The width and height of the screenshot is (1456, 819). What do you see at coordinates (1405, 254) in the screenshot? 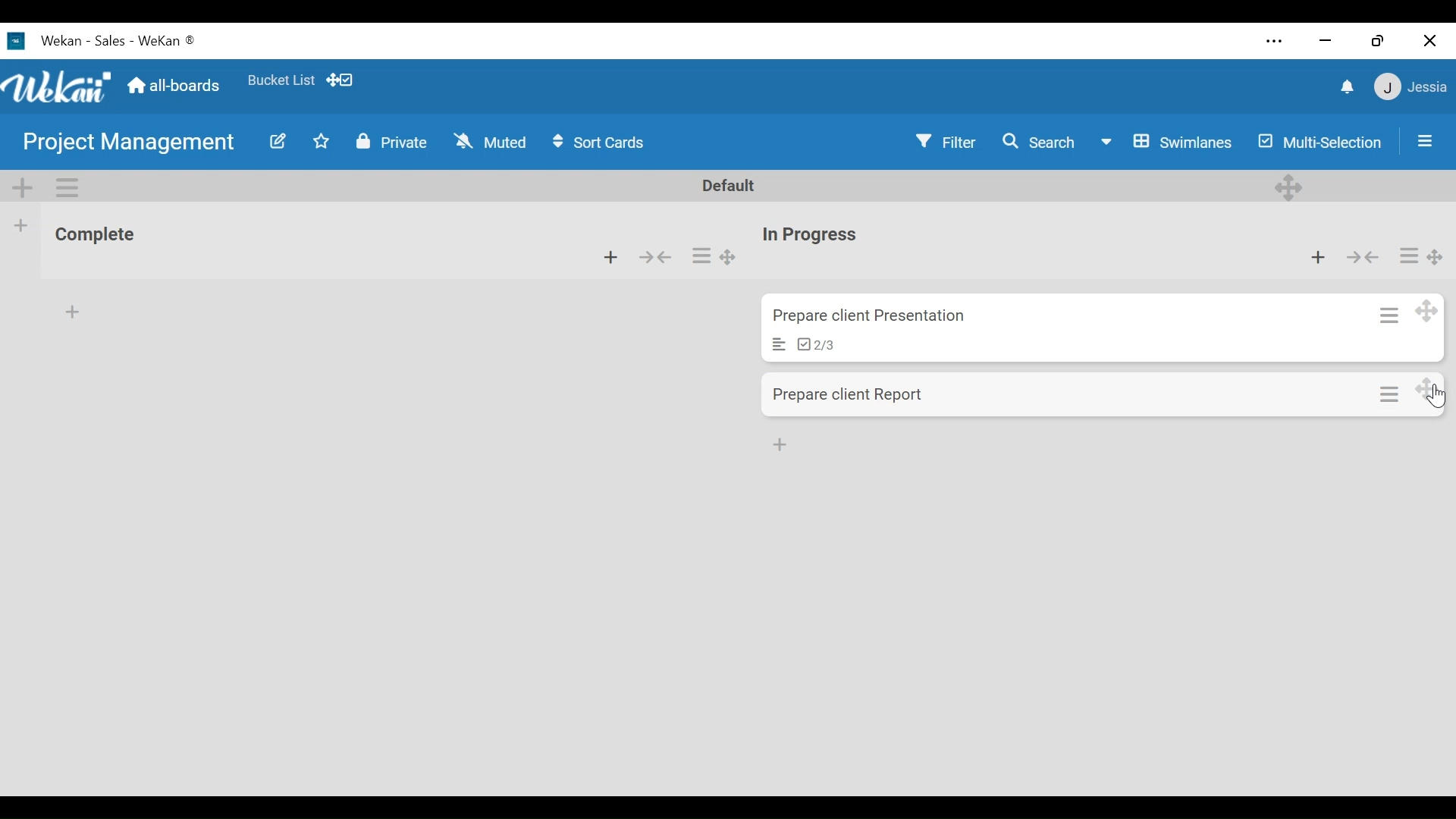
I see `Card actions` at bounding box center [1405, 254].